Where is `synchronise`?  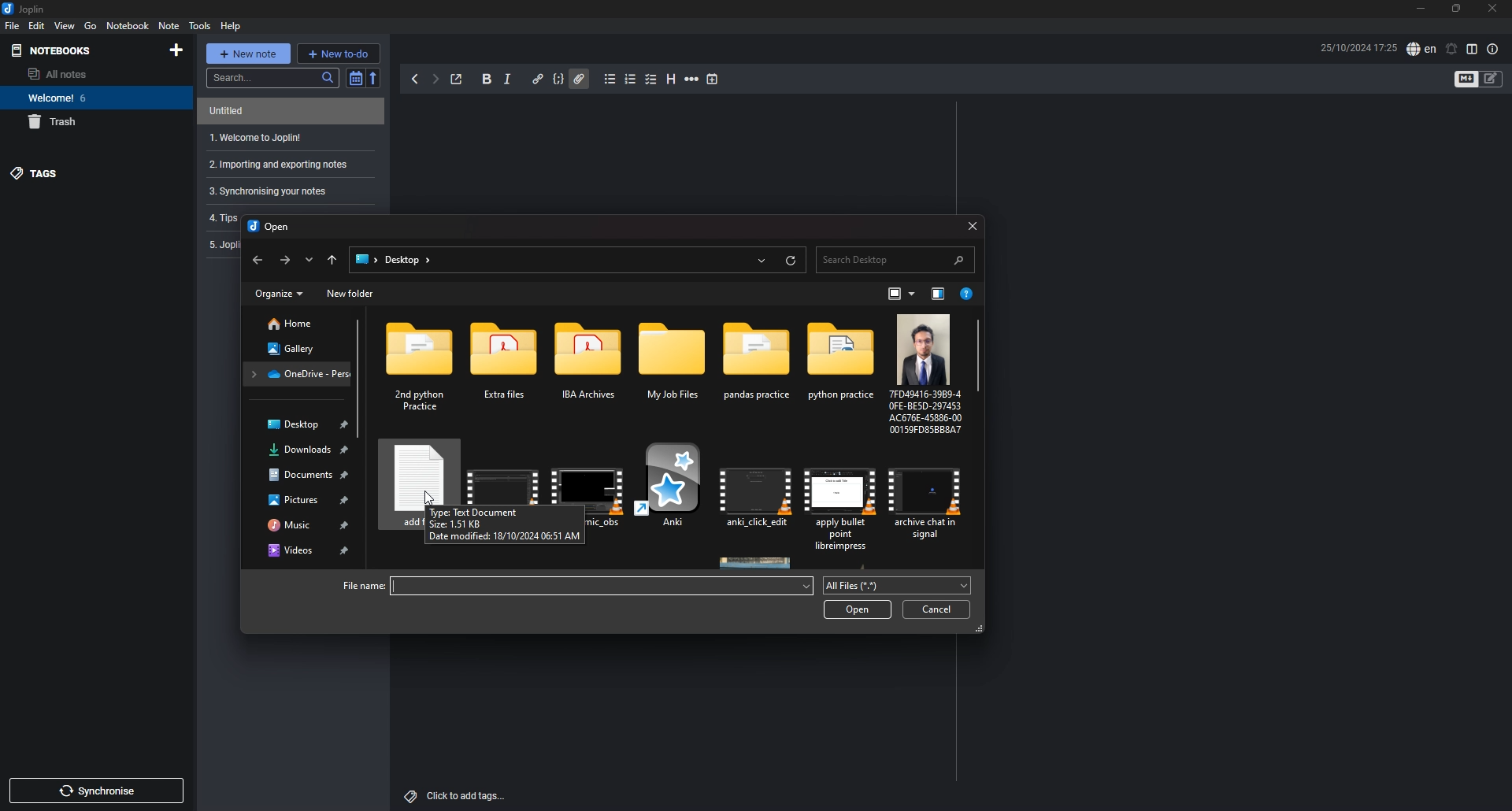
synchronise is located at coordinates (95, 791).